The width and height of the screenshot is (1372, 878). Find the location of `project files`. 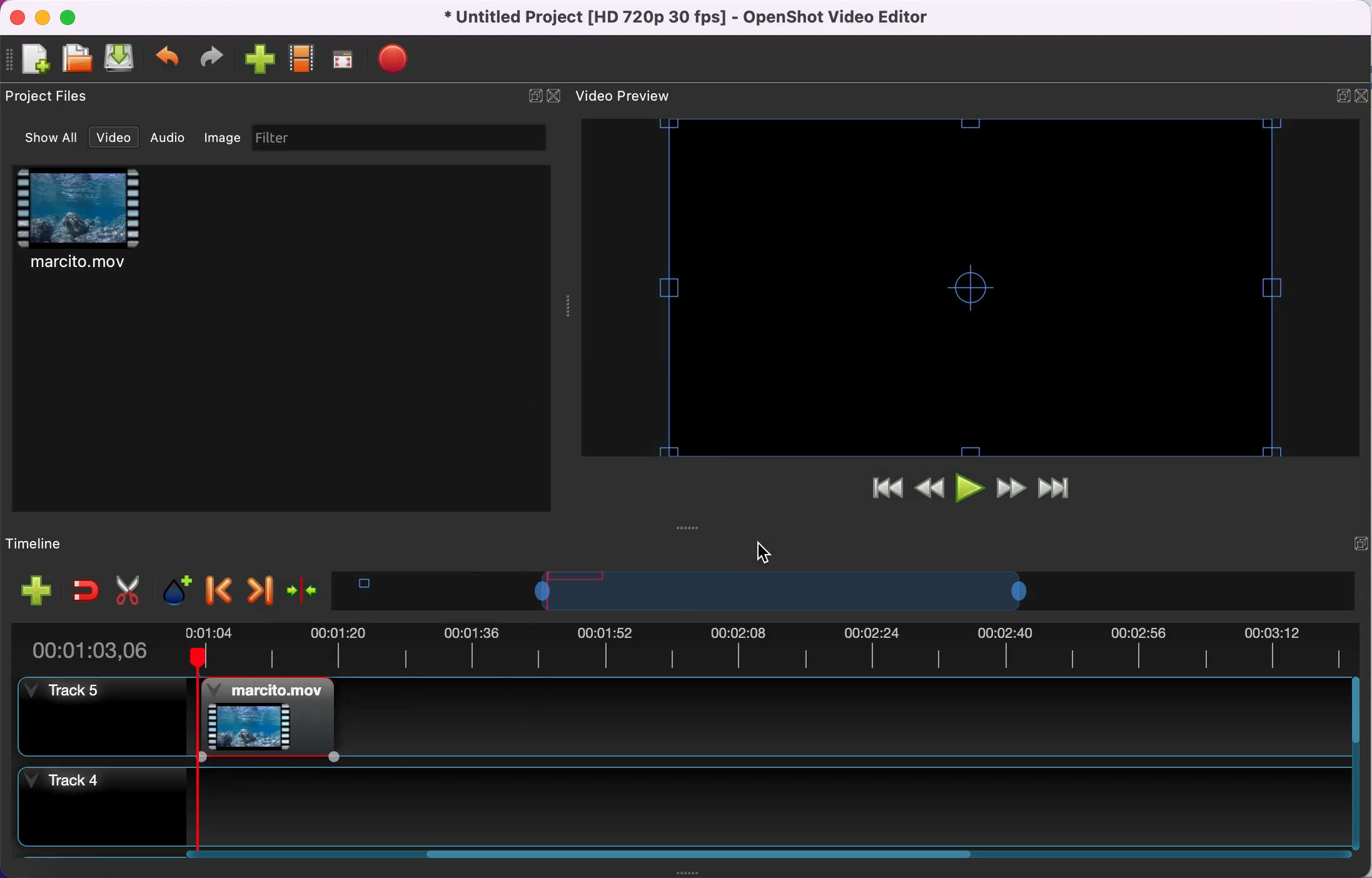

project files is located at coordinates (53, 99).